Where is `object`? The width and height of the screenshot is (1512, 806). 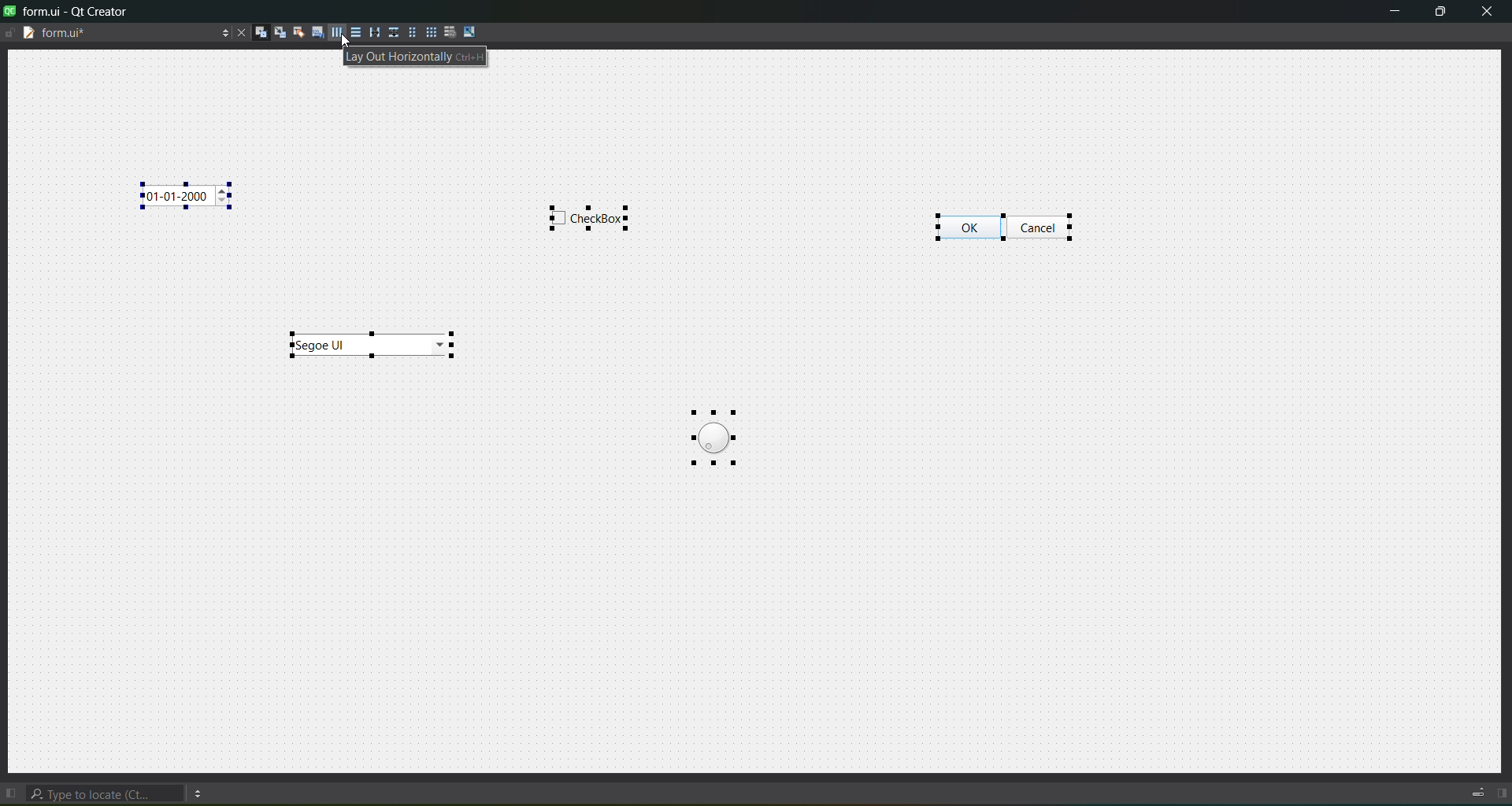
object is located at coordinates (713, 441).